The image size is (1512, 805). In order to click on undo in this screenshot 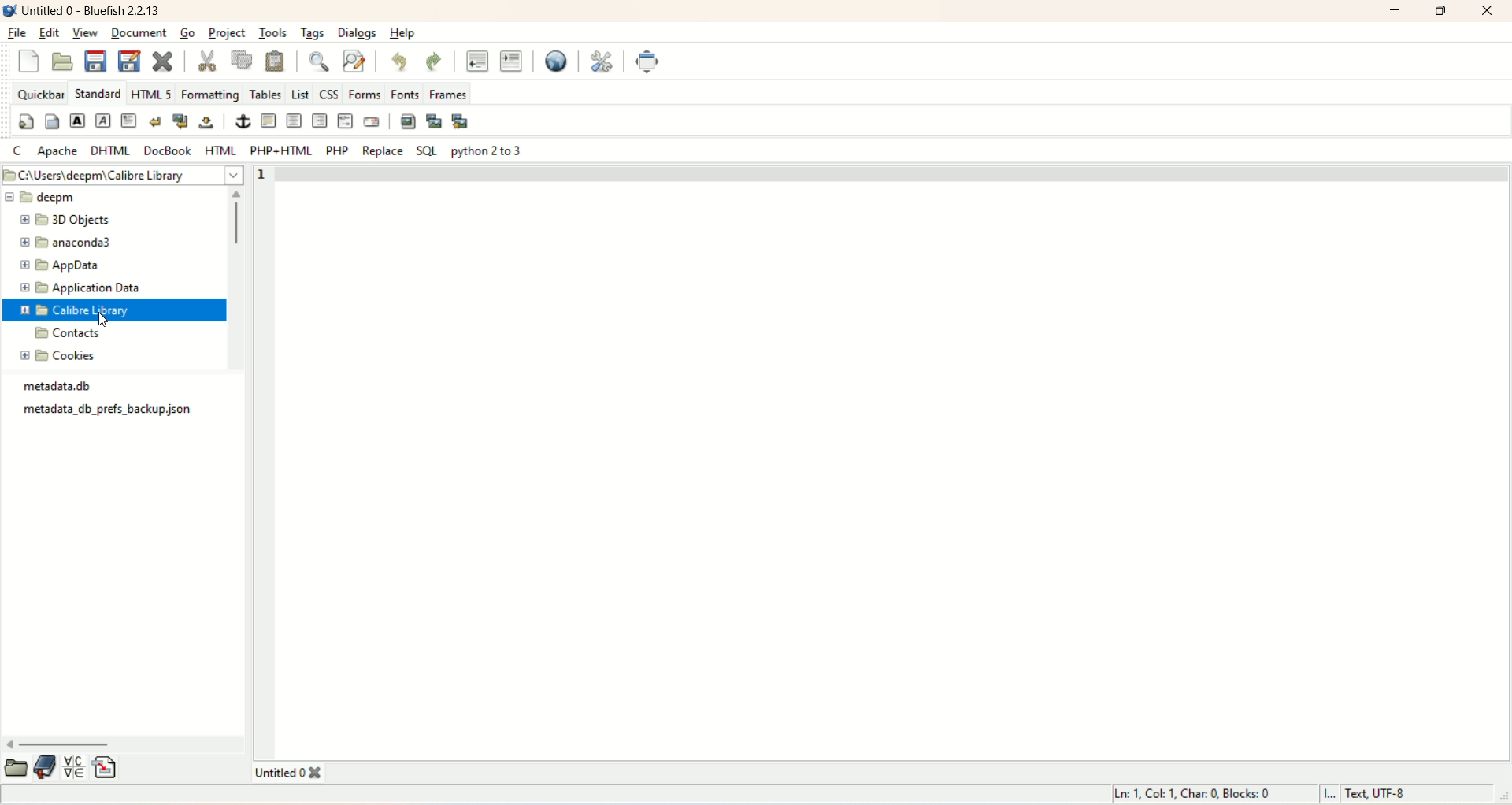, I will do `click(398, 63)`.